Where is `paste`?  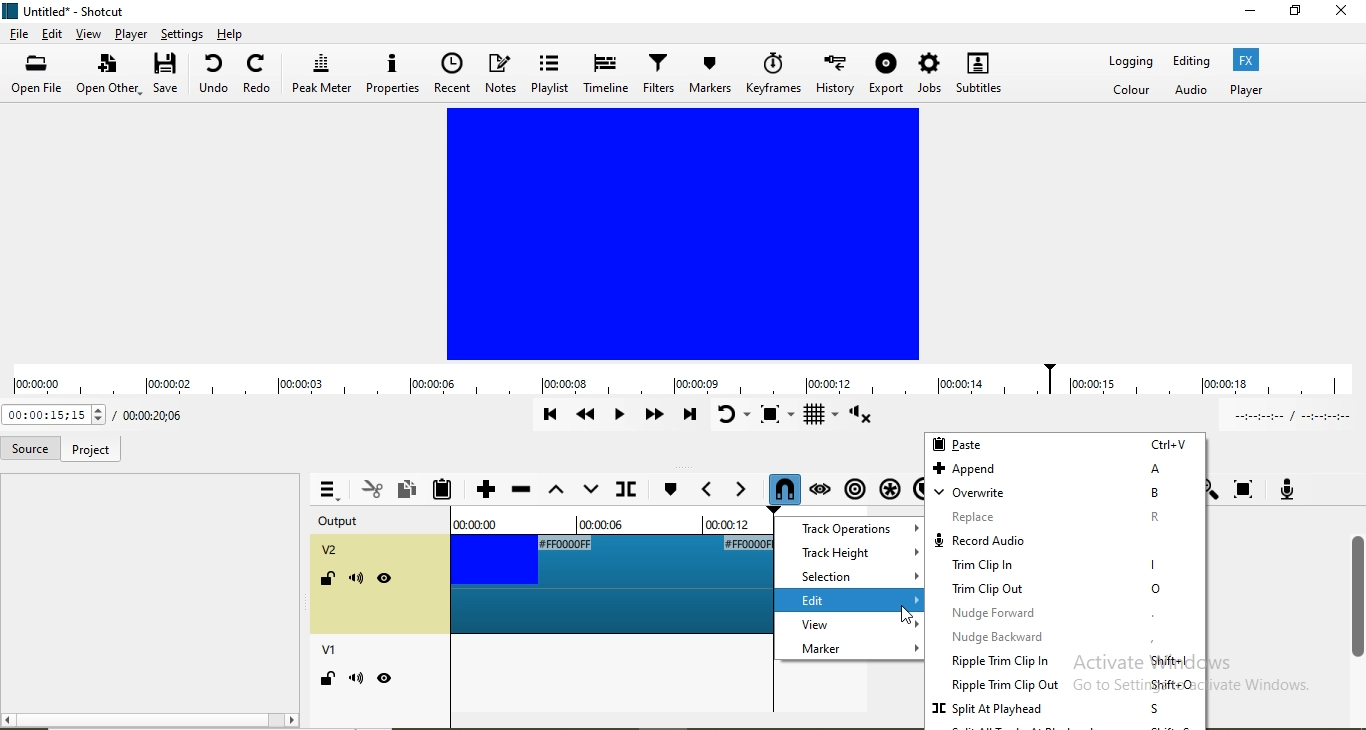 paste is located at coordinates (1064, 444).